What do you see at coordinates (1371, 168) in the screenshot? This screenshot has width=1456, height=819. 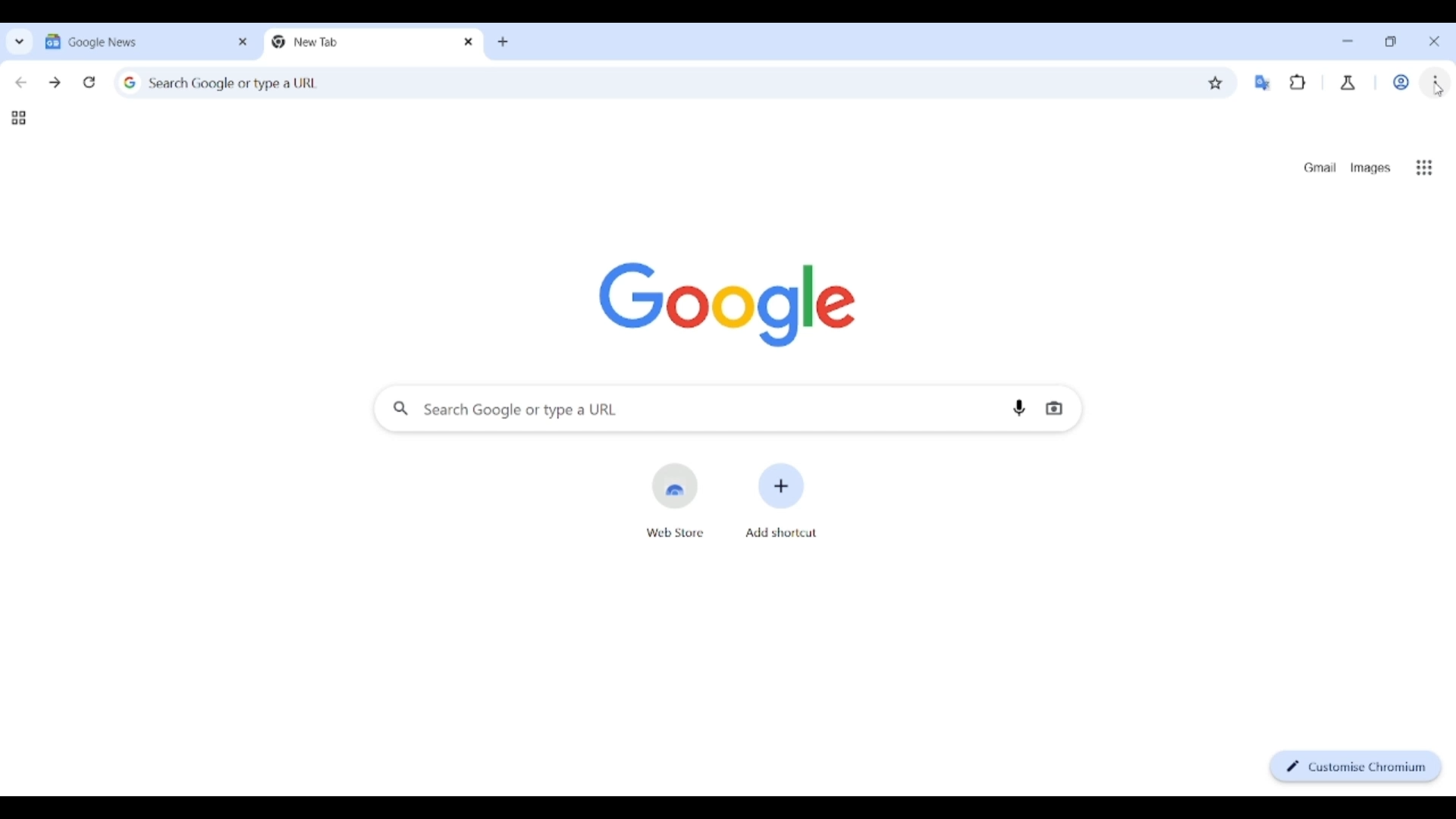 I see `Search Google images` at bounding box center [1371, 168].